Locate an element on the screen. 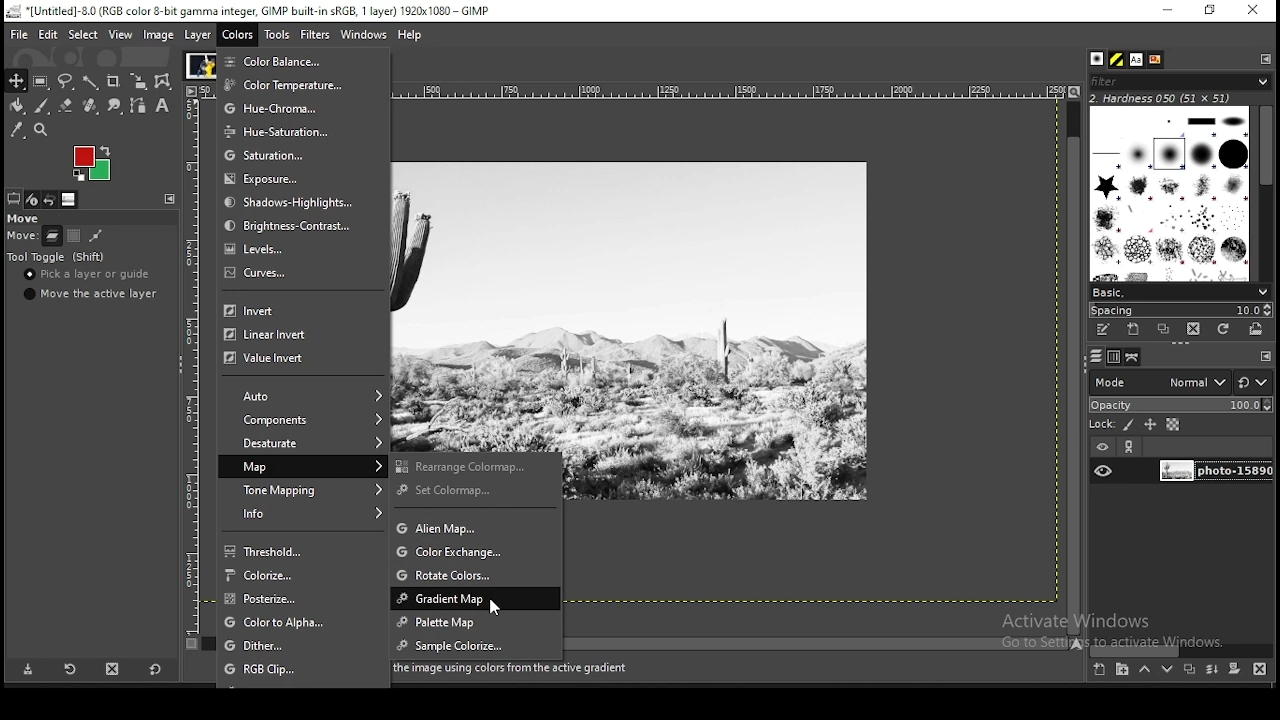 This screenshot has width=1280, height=720. desaturaste is located at coordinates (305, 444).